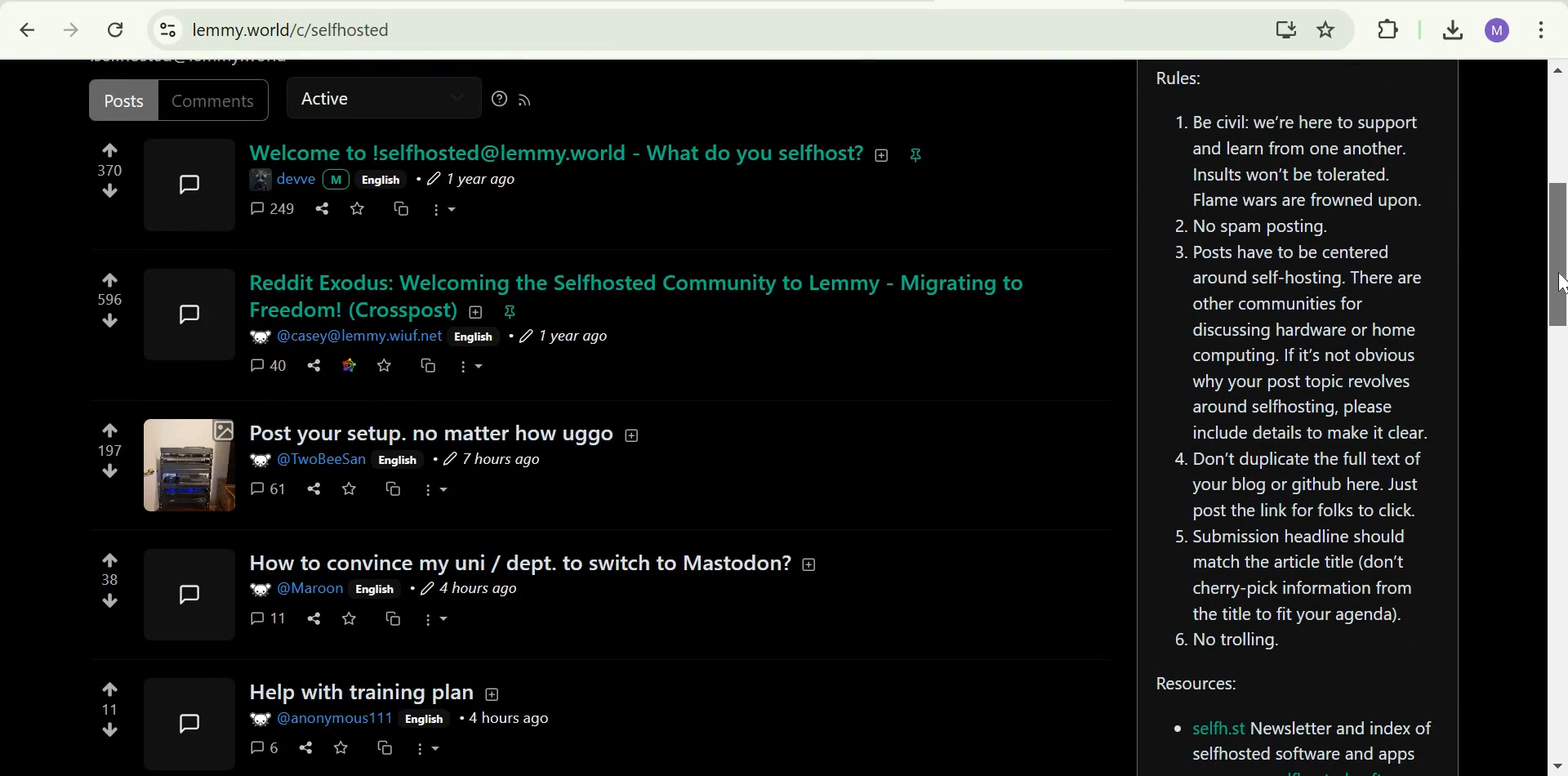 This screenshot has width=1568, height=776. What do you see at coordinates (812, 562) in the screenshot?
I see `collapse` at bounding box center [812, 562].